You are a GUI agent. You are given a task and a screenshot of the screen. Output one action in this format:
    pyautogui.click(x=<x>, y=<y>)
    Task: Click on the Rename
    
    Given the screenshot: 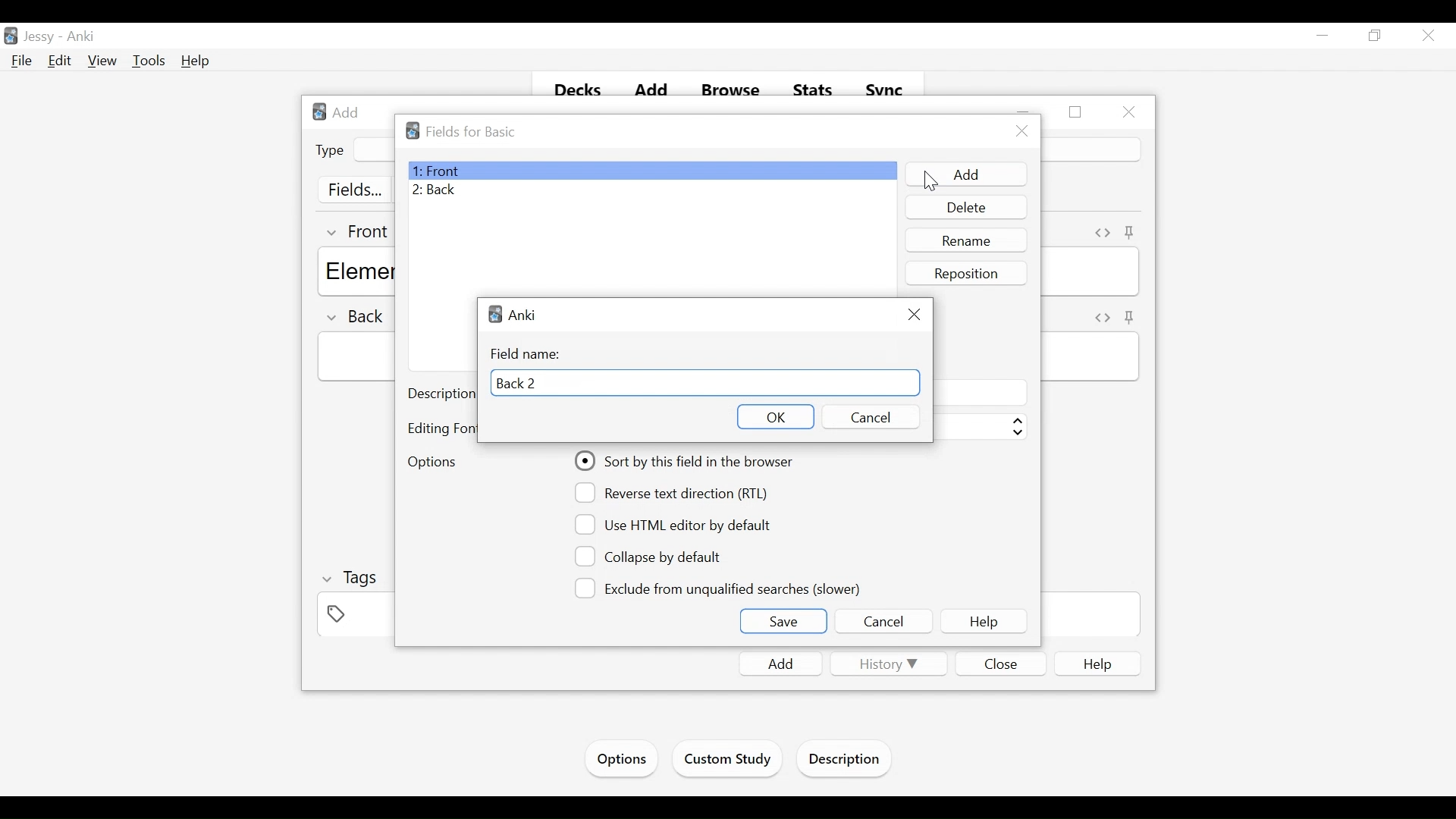 What is the action you would take?
    pyautogui.click(x=966, y=241)
    